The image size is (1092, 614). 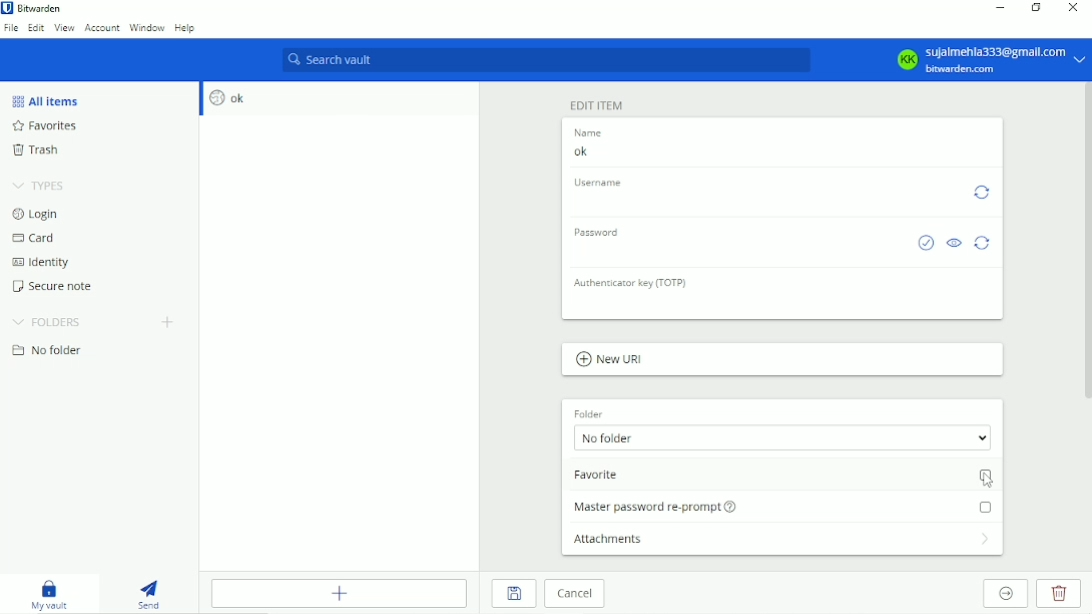 I want to click on Help, so click(x=185, y=28).